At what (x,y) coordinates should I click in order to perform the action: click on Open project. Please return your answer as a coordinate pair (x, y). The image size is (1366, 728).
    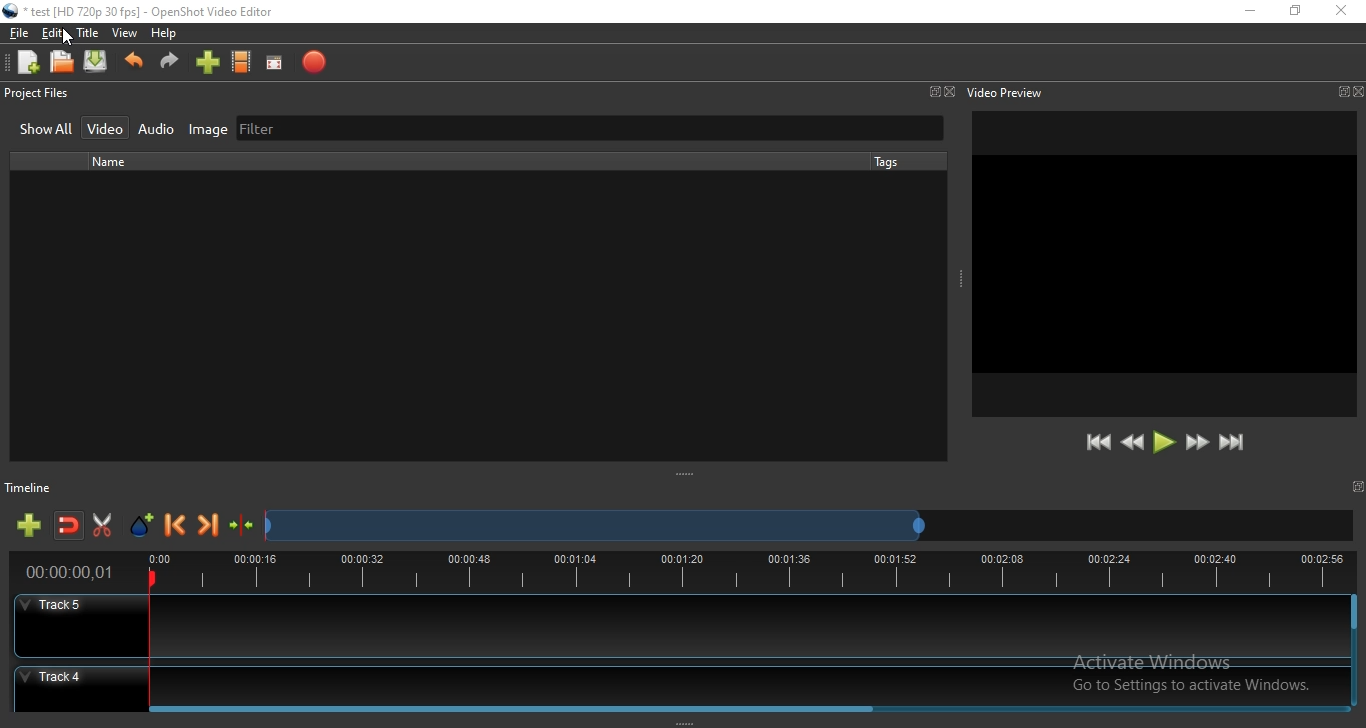
    Looking at the image, I should click on (63, 63).